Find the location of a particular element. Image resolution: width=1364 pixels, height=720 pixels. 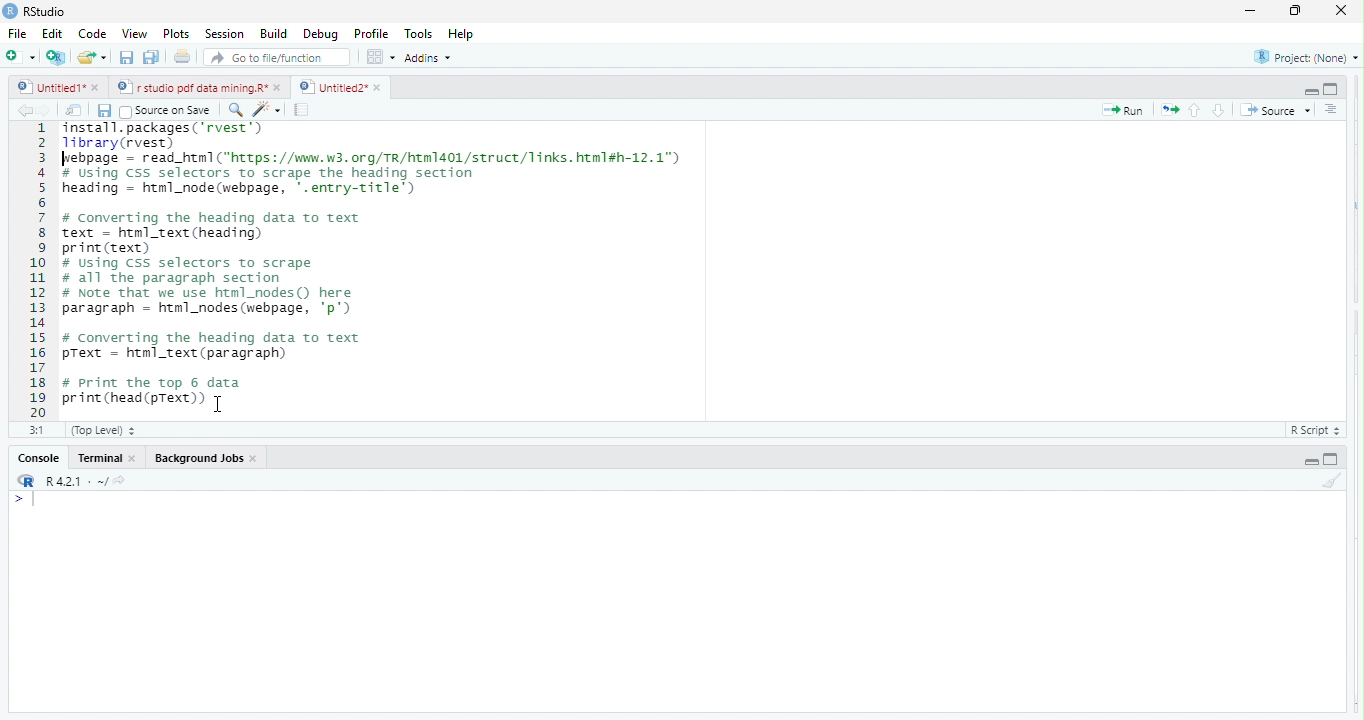

Help is located at coordinates (462, 34).